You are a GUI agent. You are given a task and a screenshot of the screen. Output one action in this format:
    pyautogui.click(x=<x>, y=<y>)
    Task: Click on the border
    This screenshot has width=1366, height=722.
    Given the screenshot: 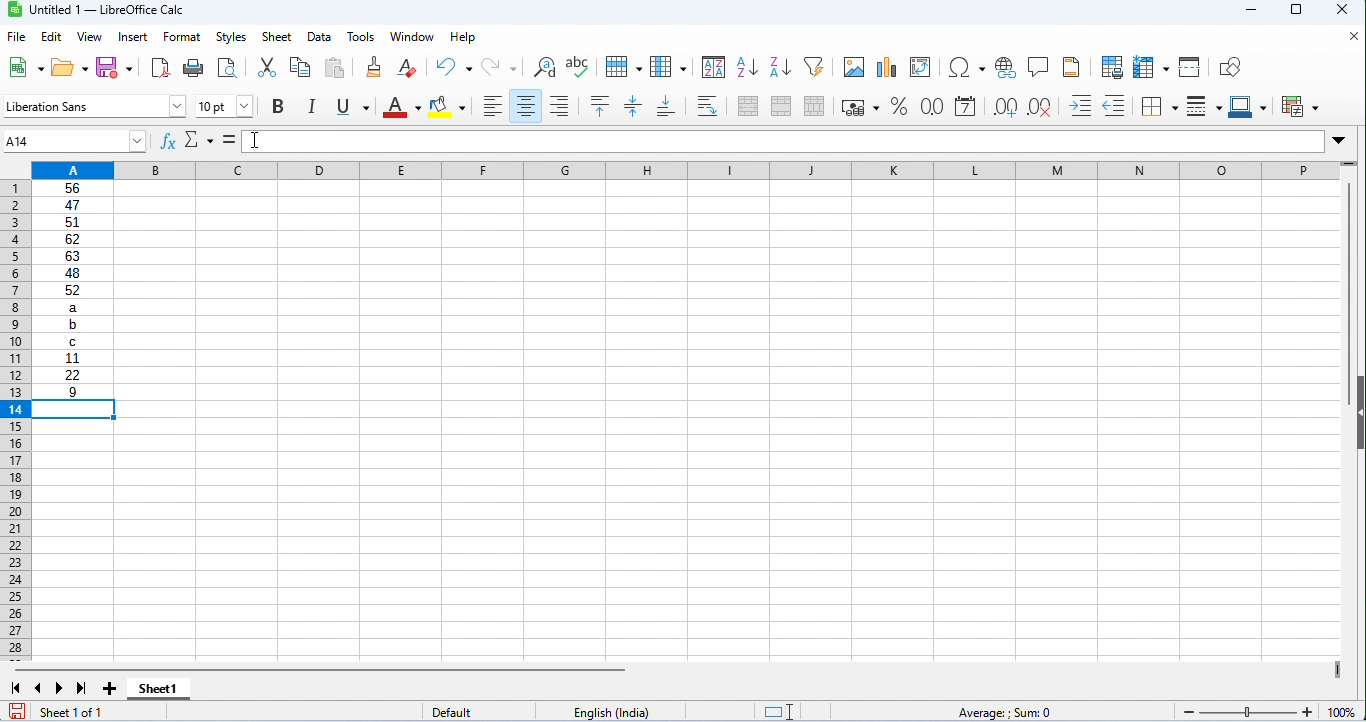 What is the action you would take?
    pyautogui.click(x=1159, y=107)
    